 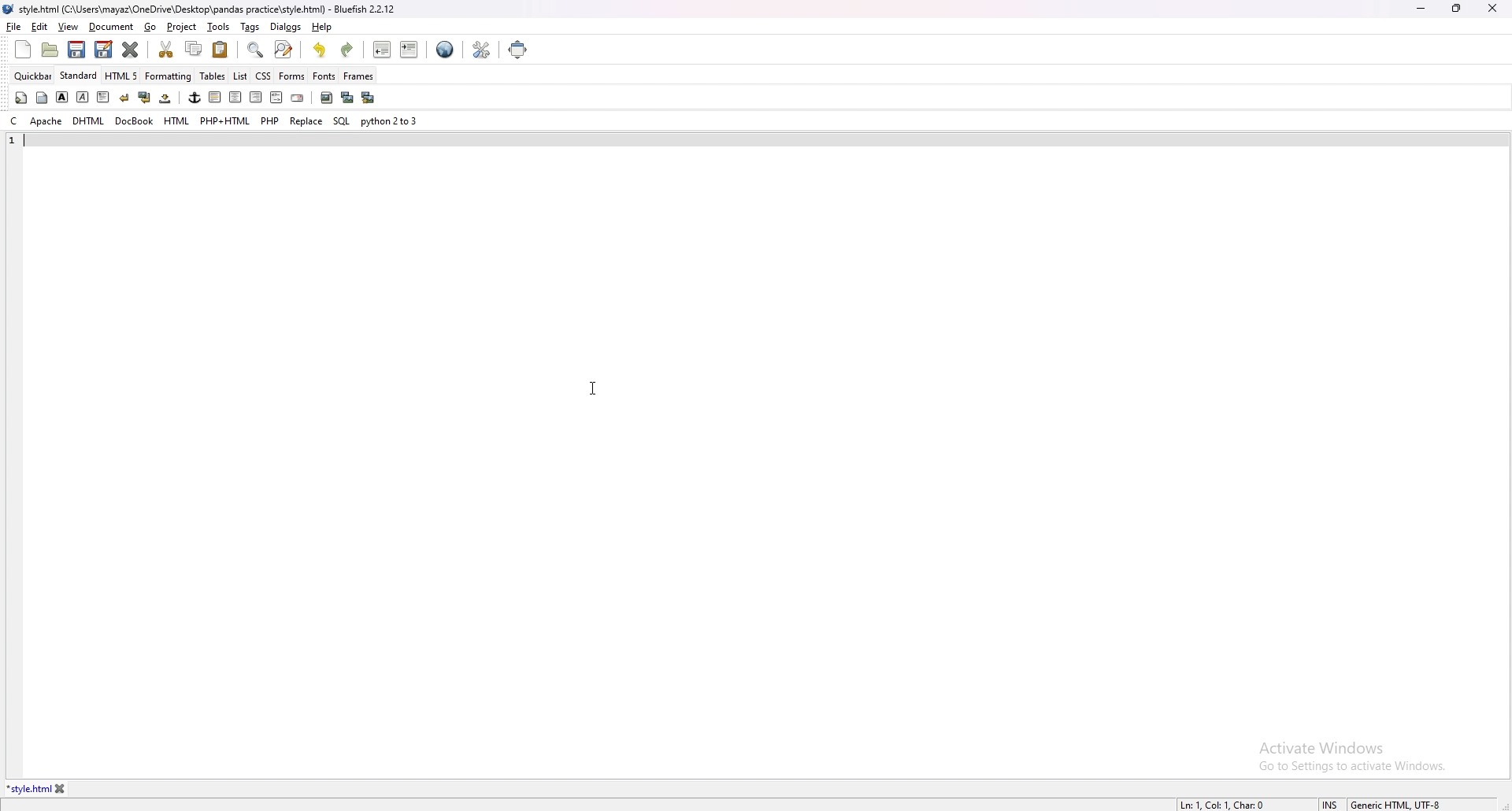 I want to click on close current tab, so click(x=132, y=50).